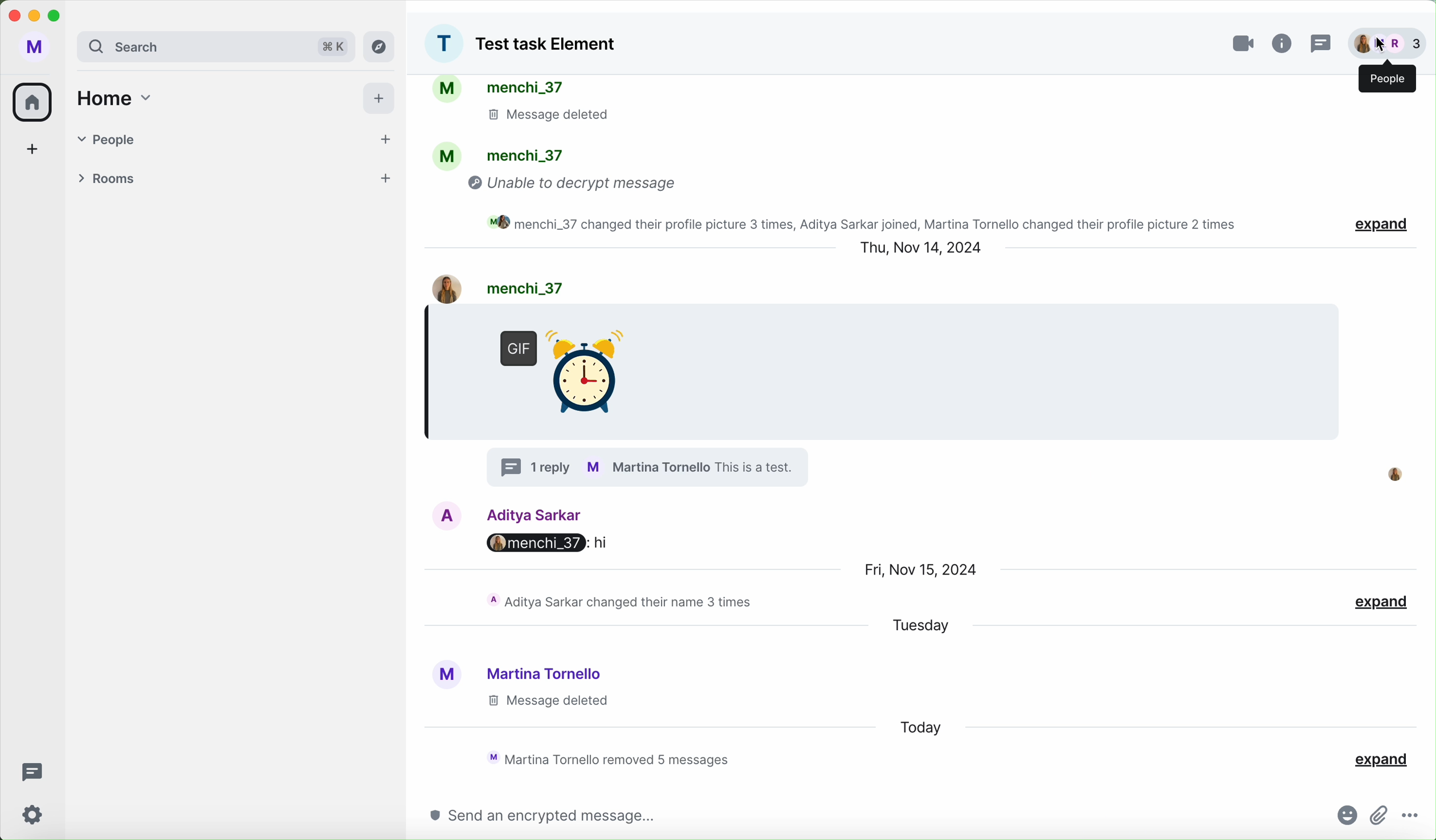 This screenshot has width=1436, height=840. I want to click on 1 reply in thread, so click(531, 467).